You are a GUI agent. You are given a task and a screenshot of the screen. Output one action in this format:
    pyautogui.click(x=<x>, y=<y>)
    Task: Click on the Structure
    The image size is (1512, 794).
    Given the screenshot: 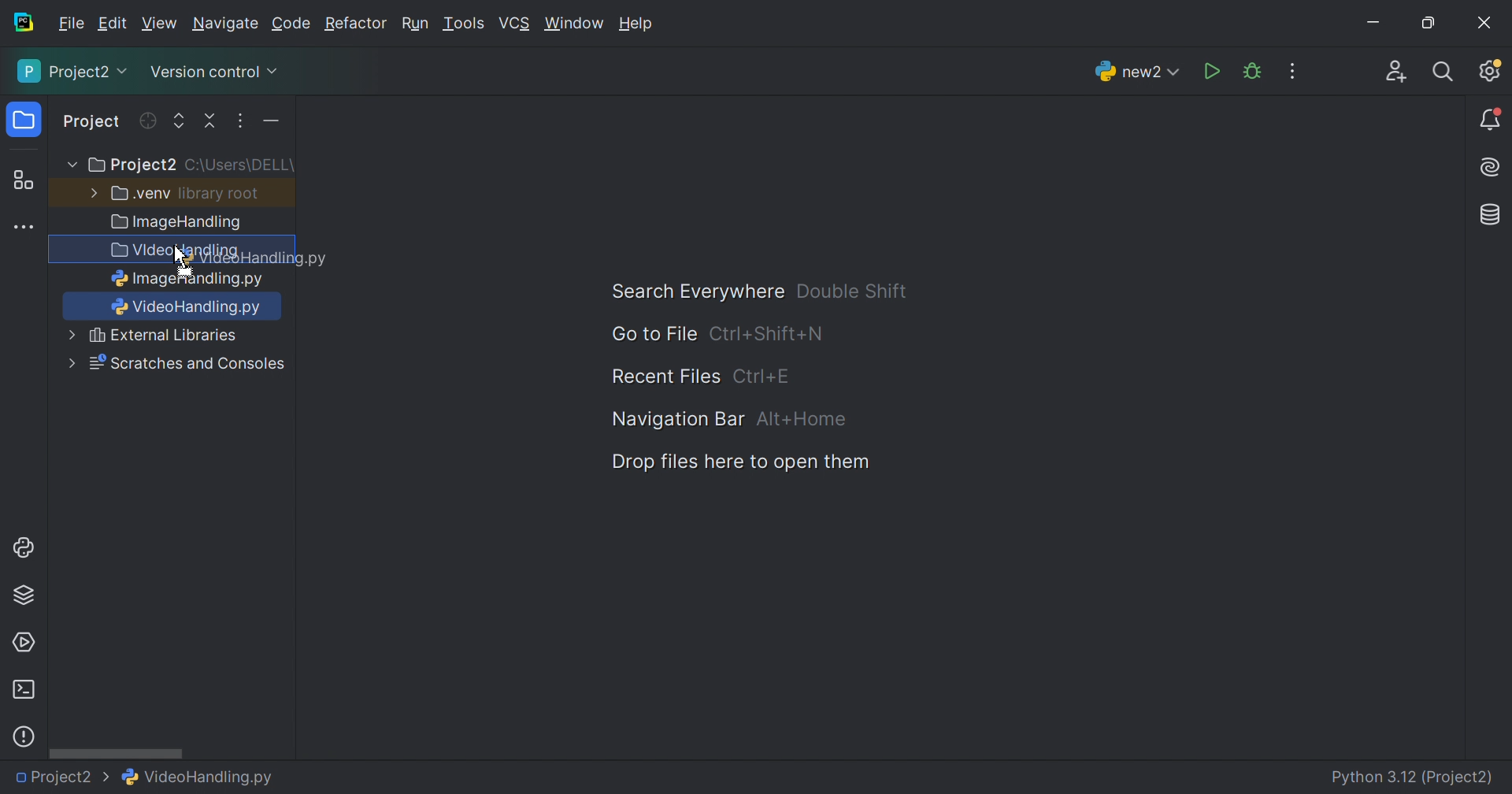 What is the action you would take?
    pyautogui.click(x=23, y=181)
    